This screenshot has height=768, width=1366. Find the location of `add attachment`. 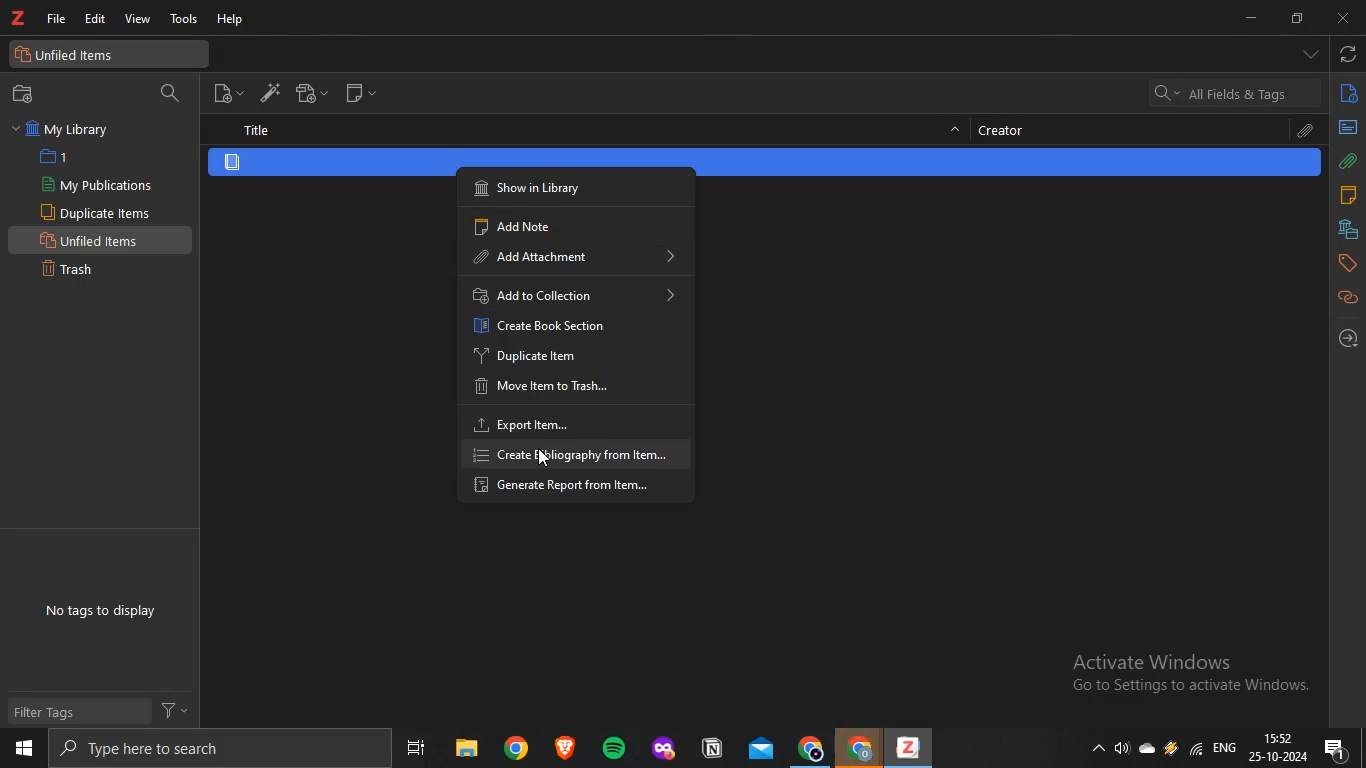

add attachment is located at coordinates (313, 93).